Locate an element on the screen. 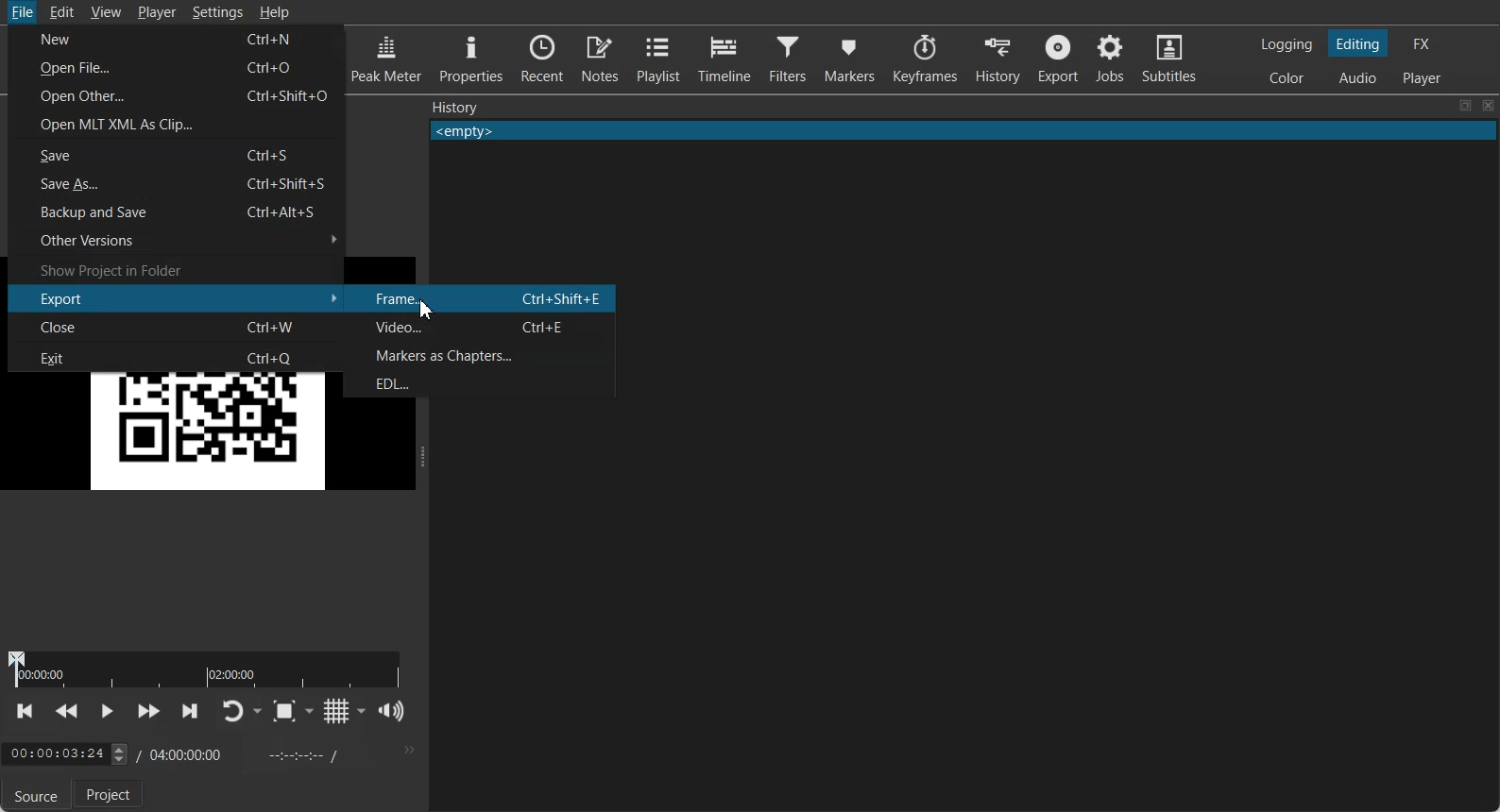  Frame is located at coordinates (418, 300).